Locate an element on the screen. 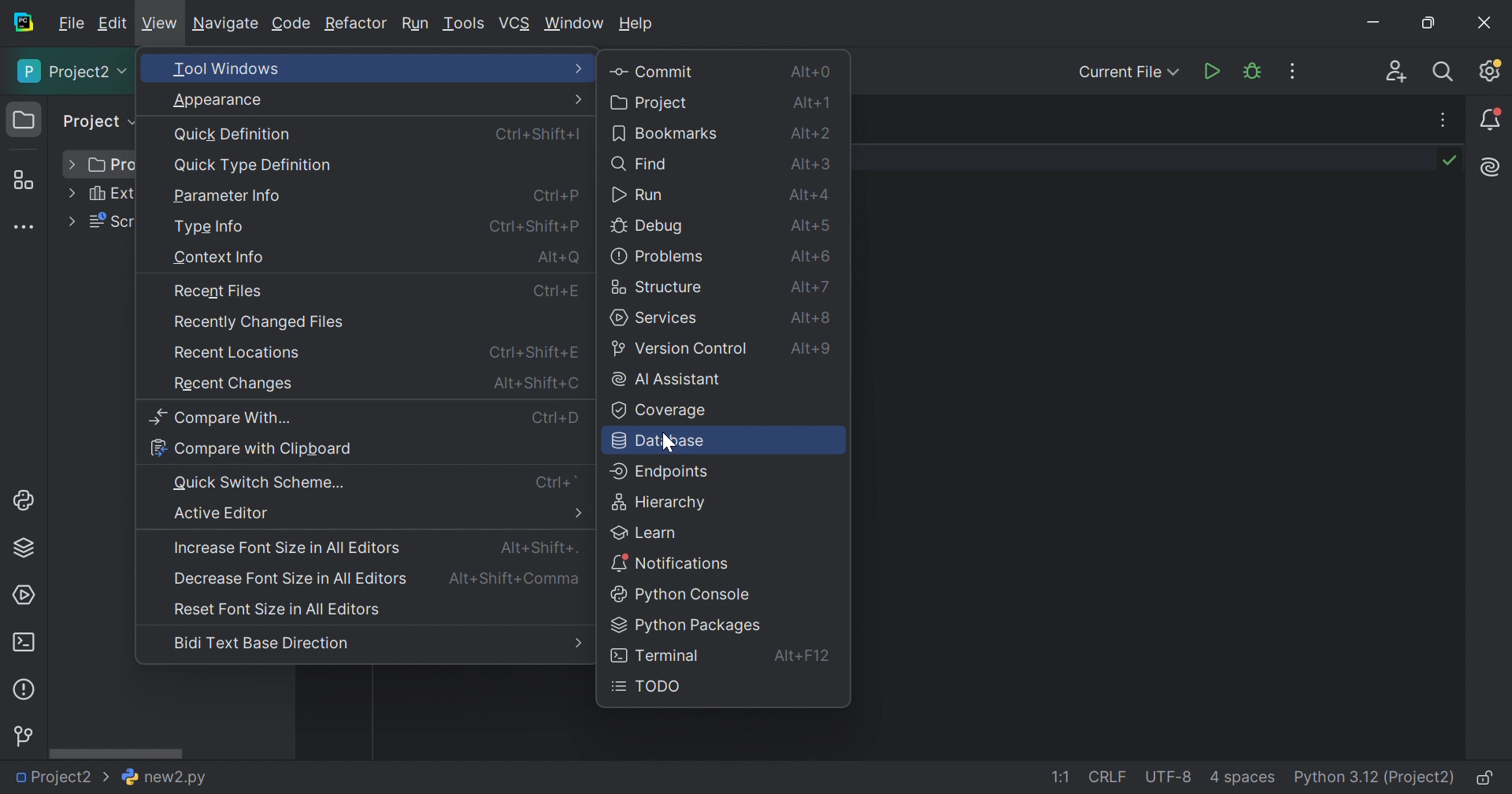  Python console is located at coordinates (685, 595).